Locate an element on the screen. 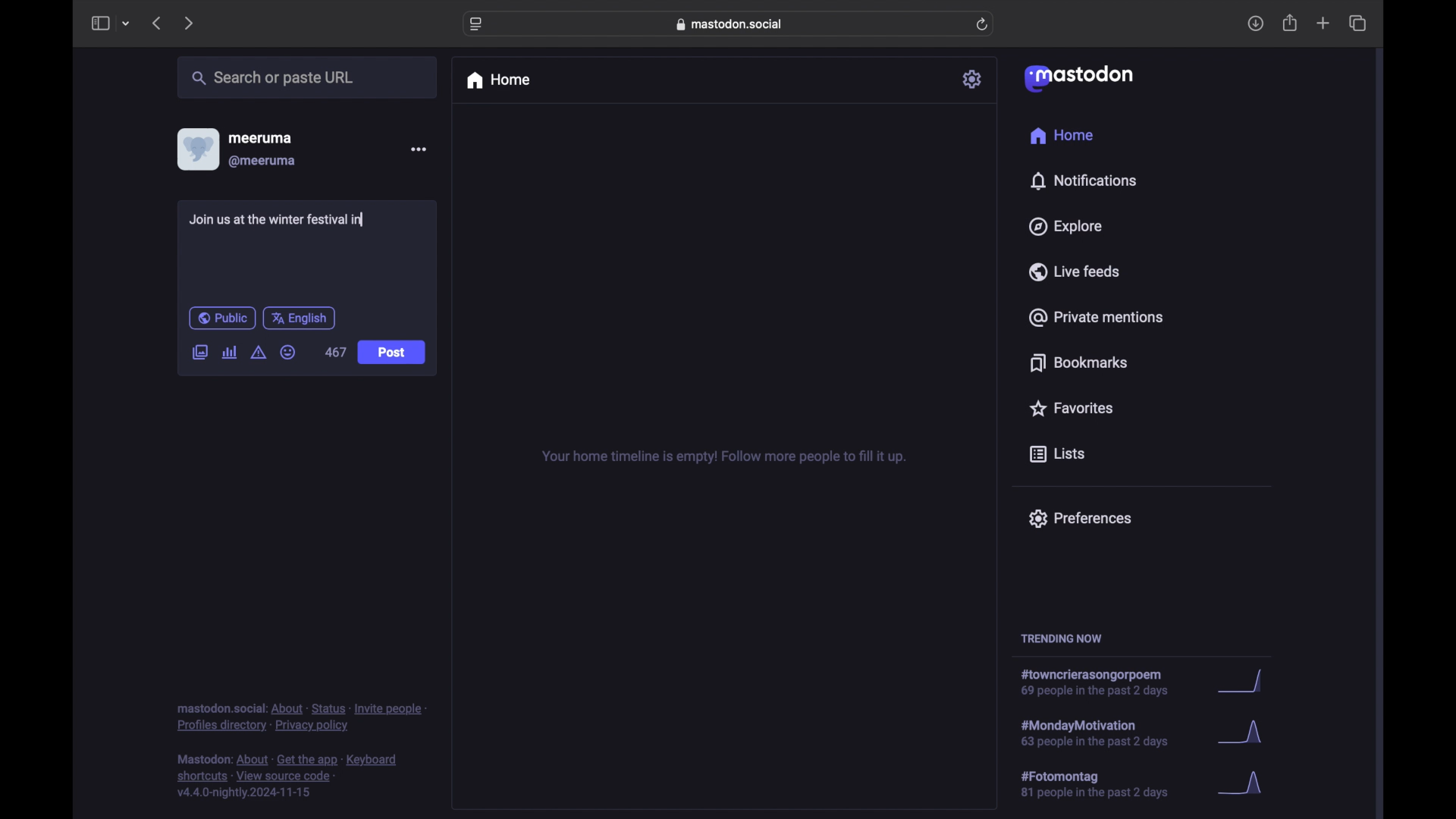 This screenshot has width=1456, height=819. hashtag trend is located at coordinates (1105, 732).